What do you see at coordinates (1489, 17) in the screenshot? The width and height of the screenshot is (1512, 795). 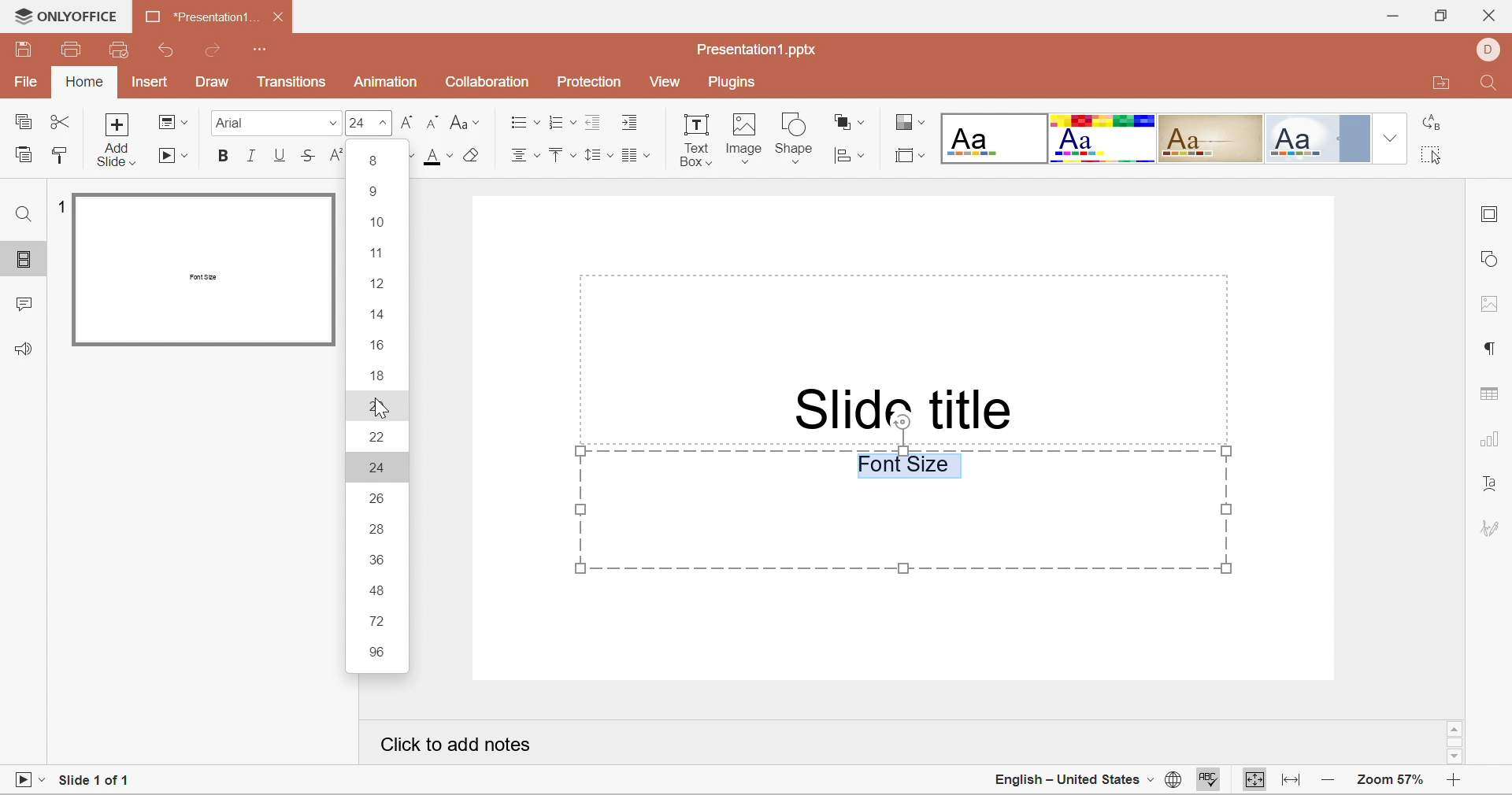 I see `Close` at bounding box center [1489, 17].